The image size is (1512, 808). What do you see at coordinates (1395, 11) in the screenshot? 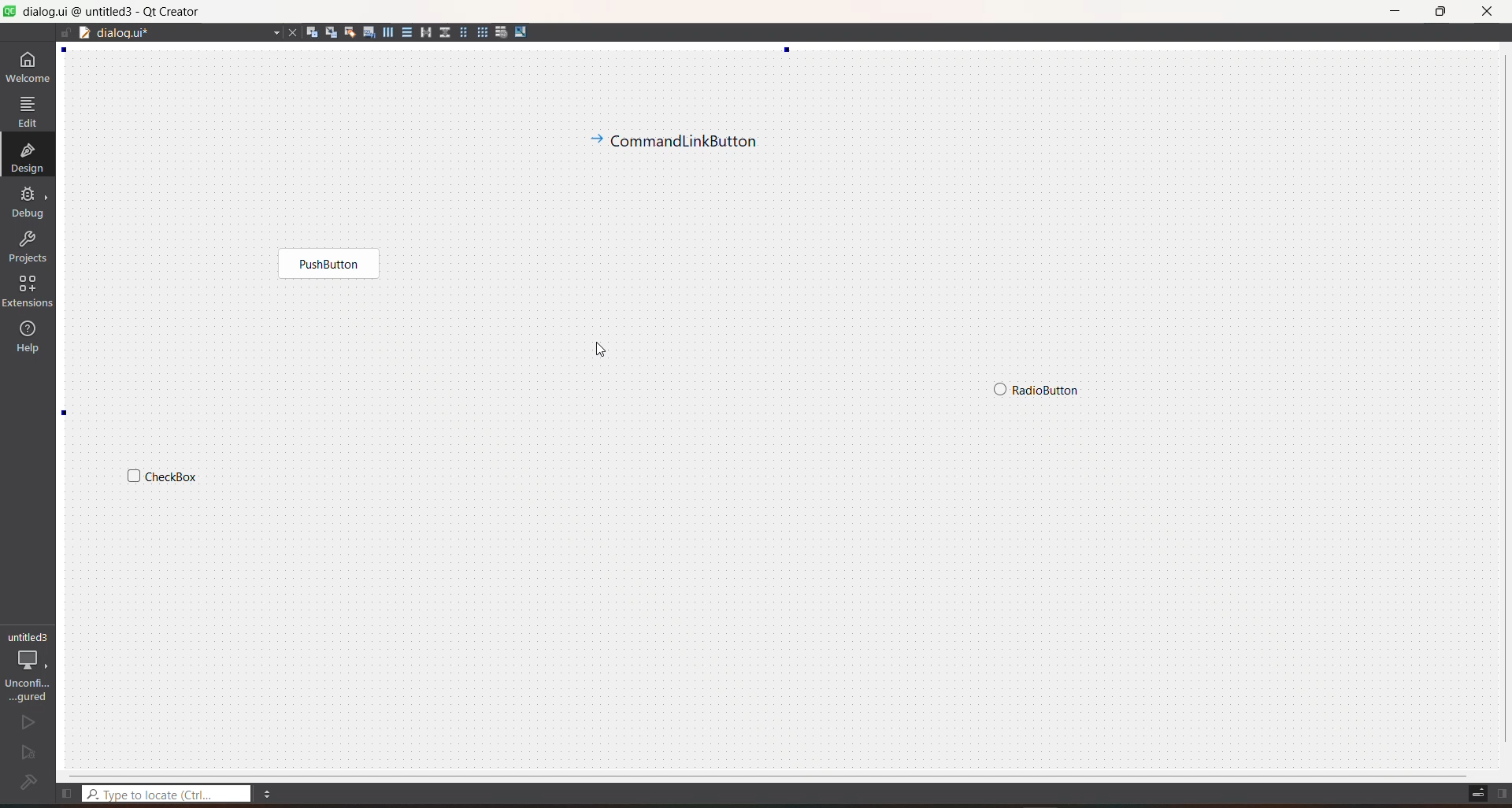
I see `minimize` at bounding box center [1395, 11].